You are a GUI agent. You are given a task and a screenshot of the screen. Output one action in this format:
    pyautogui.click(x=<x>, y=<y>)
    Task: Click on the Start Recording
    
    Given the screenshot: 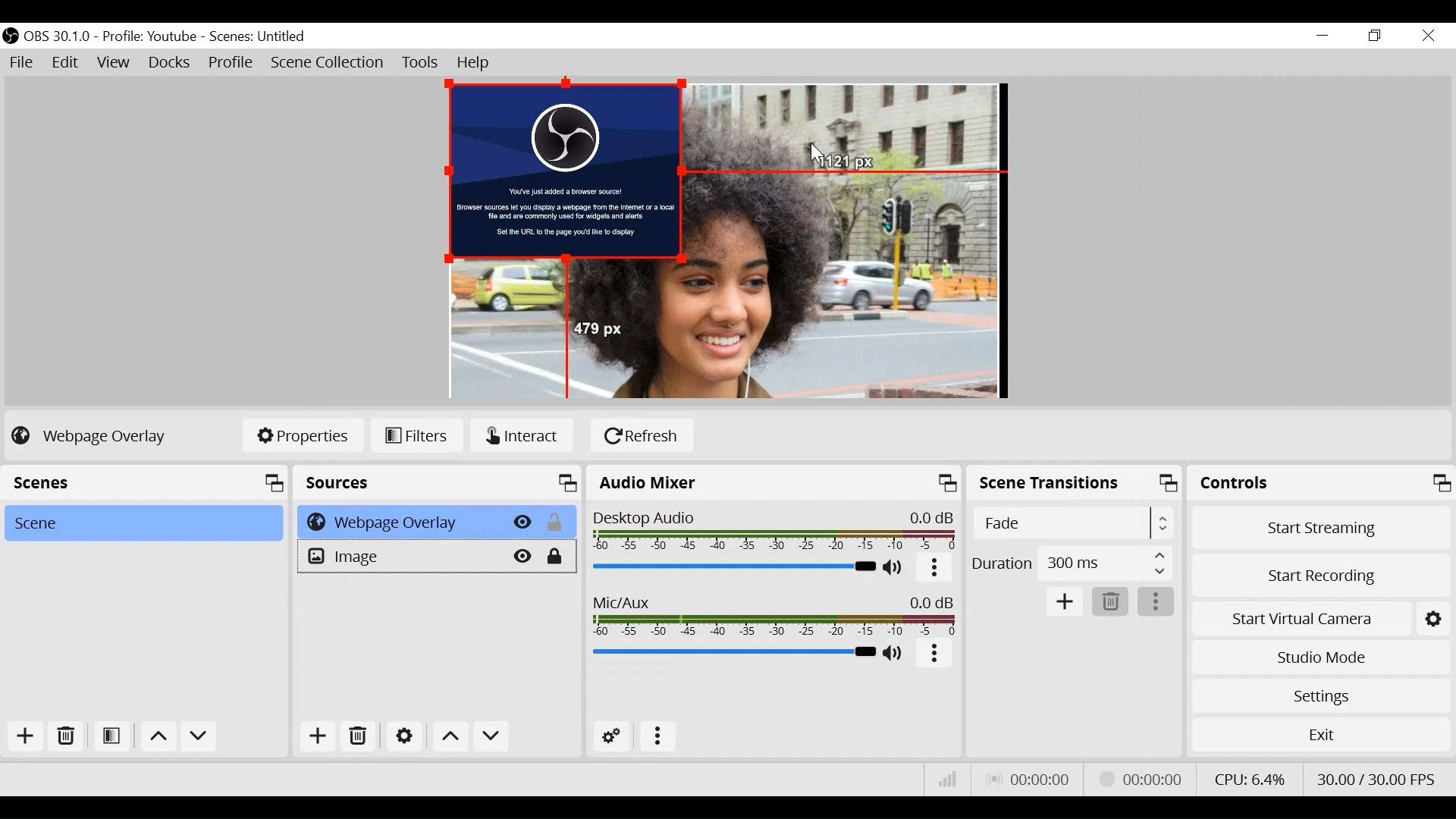 What is the action you would take?
    pyautogui.click(x=1319, y=576)
    